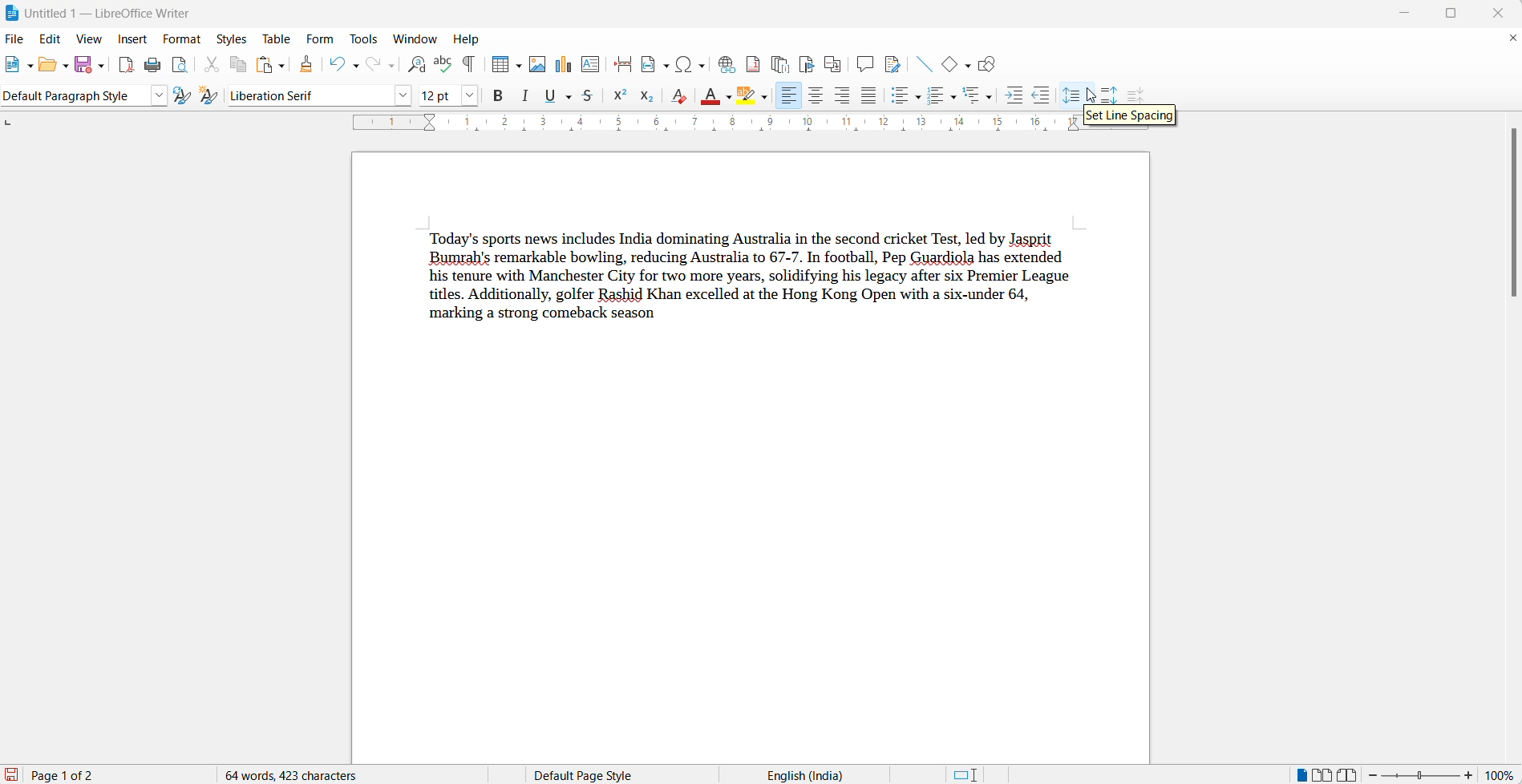 The width and height of the screenshot is (1522, 784). Describe the element at coordinates (439, 96) in the screenshot. I see `font size` at that location.